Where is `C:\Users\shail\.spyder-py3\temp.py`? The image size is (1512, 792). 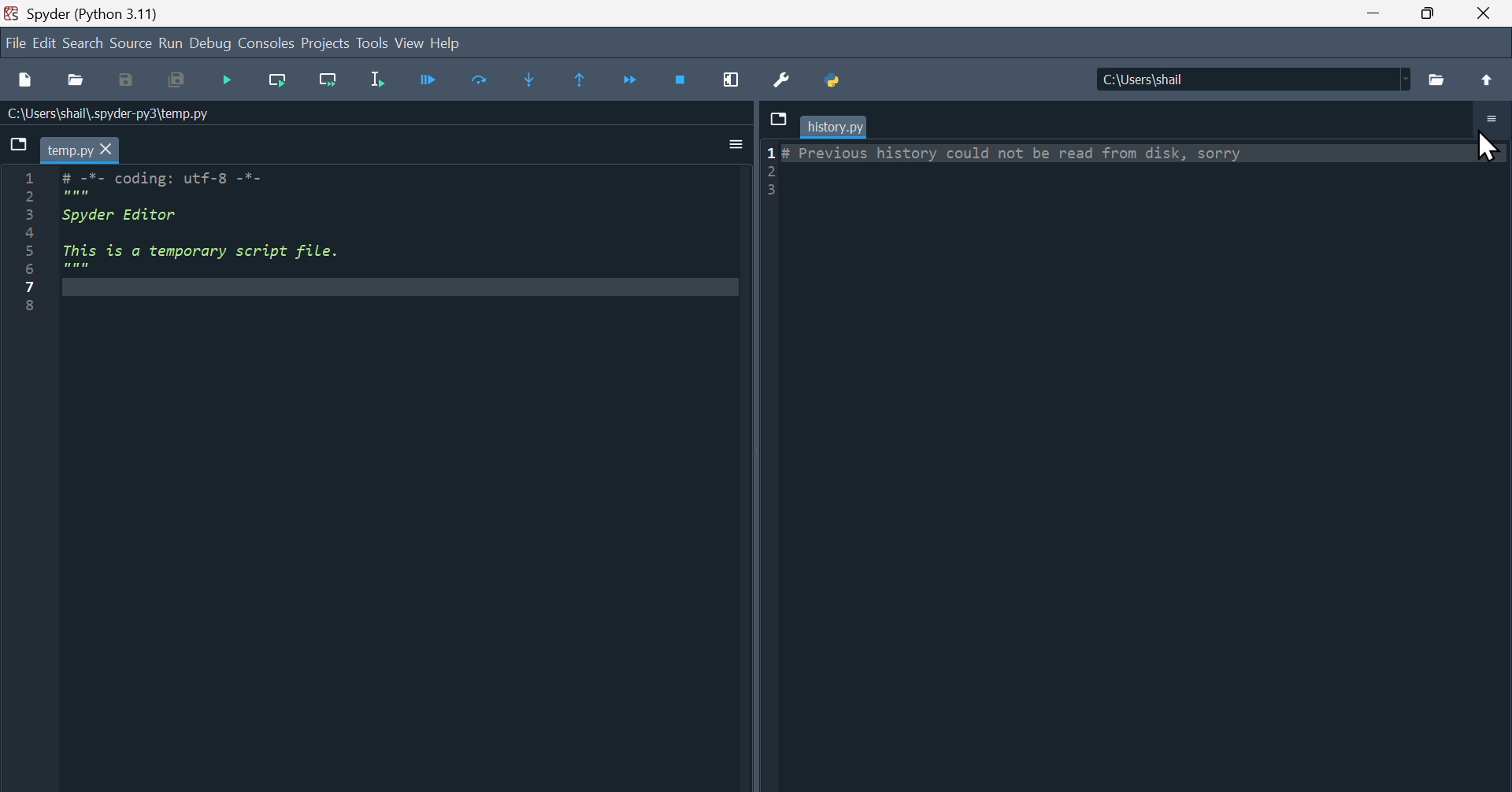
C:\Users\shail\.spyder-py3\temp.py is located at coordinates (109, 117).